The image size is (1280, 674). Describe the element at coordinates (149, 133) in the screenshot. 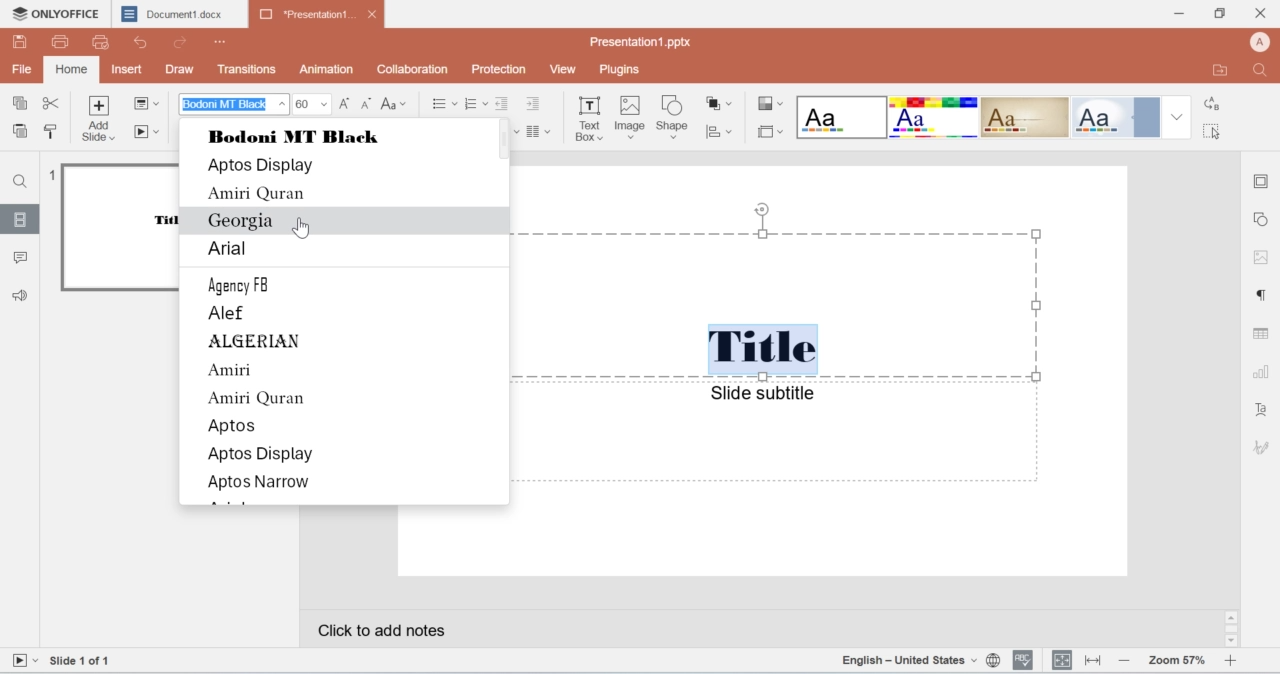

I see `play` at that location.